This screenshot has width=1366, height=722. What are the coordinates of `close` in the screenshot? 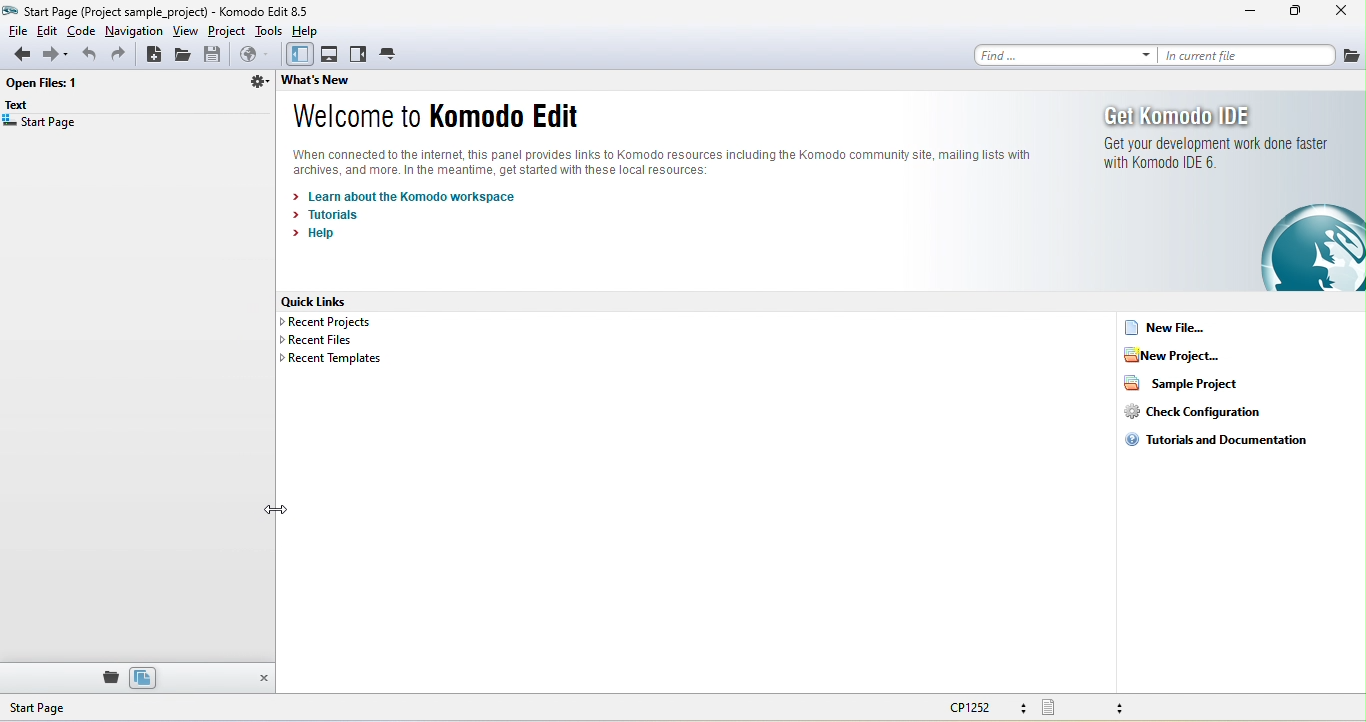 It's located at (1337, 13).